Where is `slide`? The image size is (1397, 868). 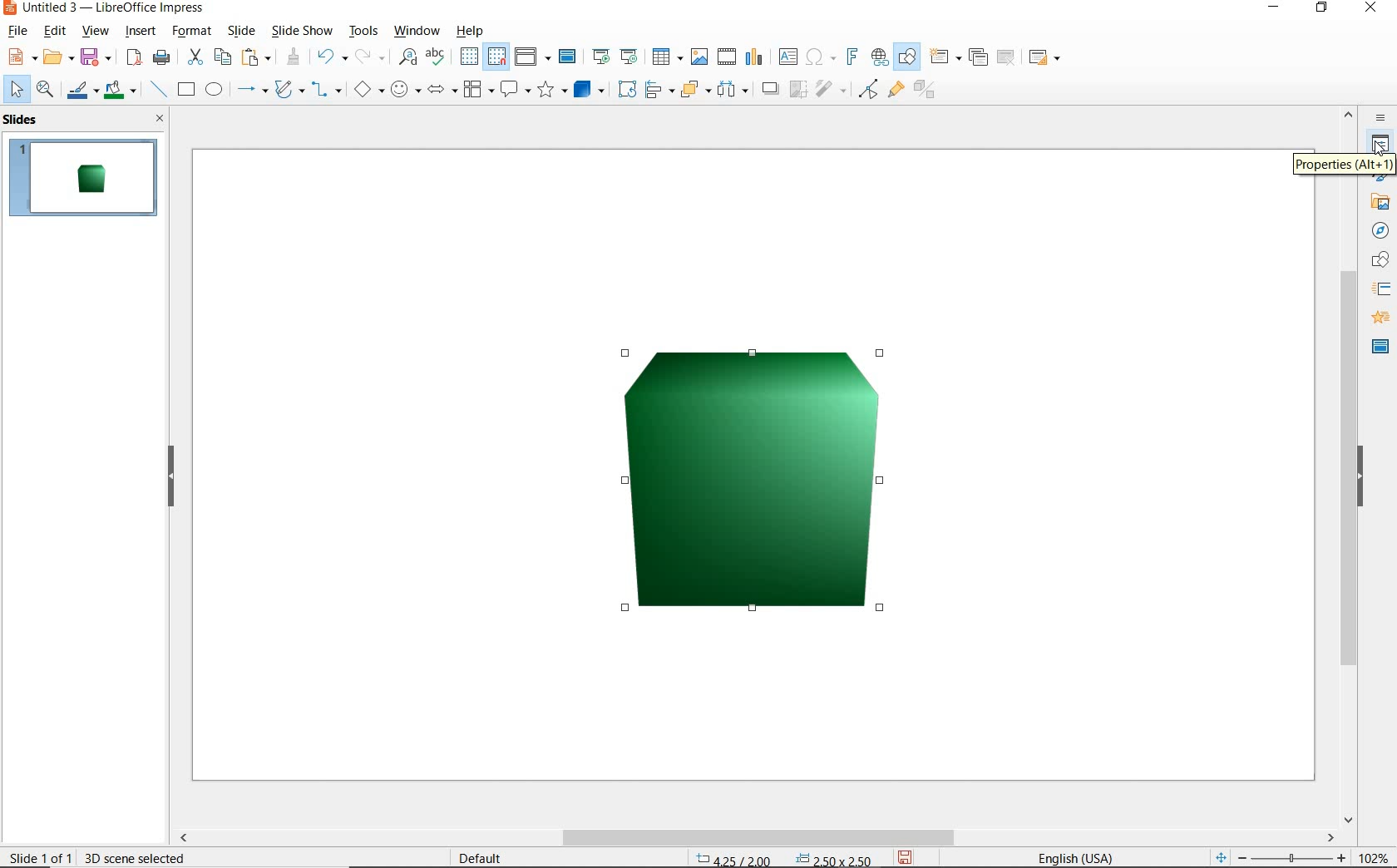 slide is located at coordinates (239, 31).